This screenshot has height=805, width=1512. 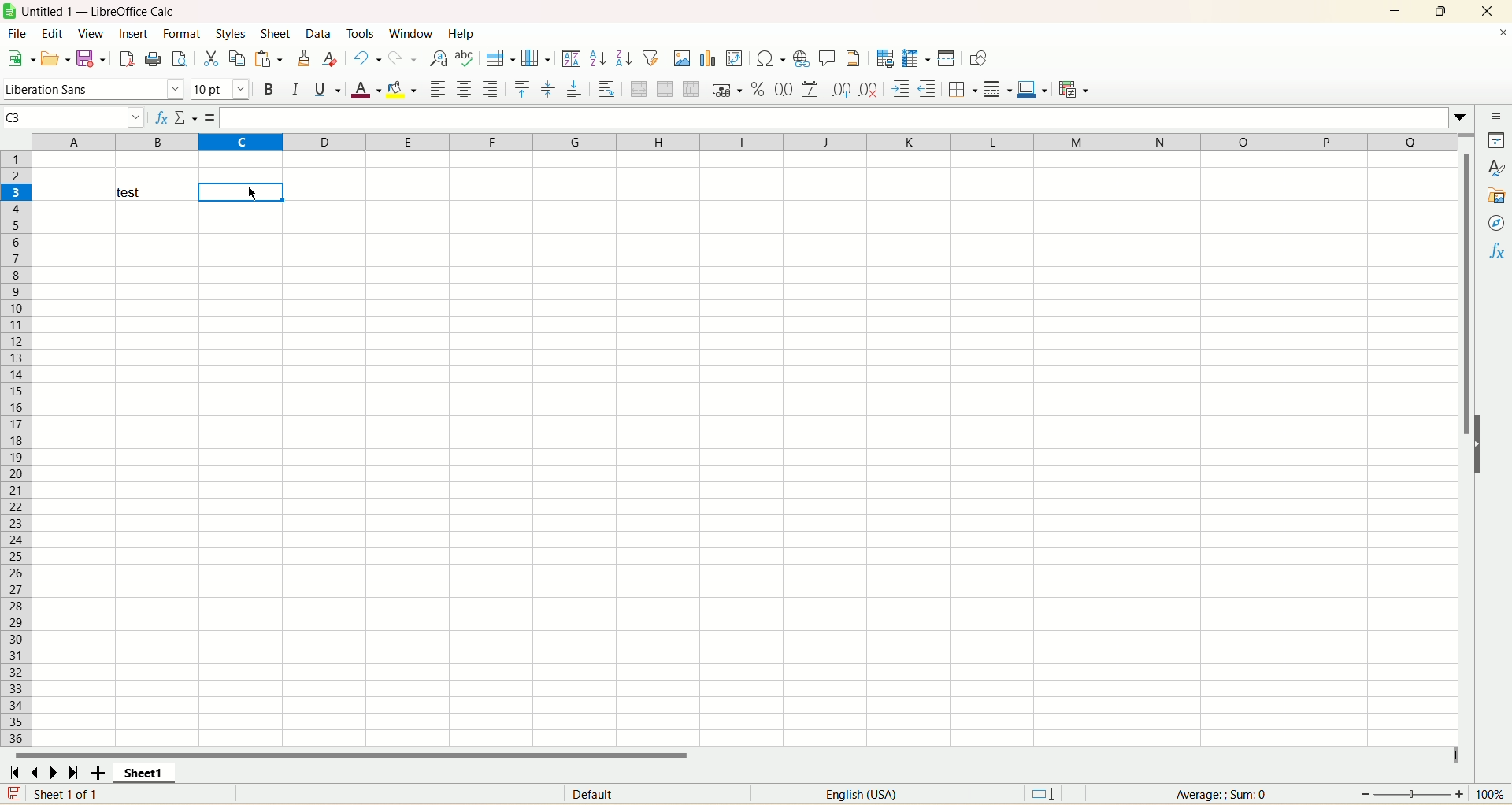 I want to click on print, so click(x=153, y=58).